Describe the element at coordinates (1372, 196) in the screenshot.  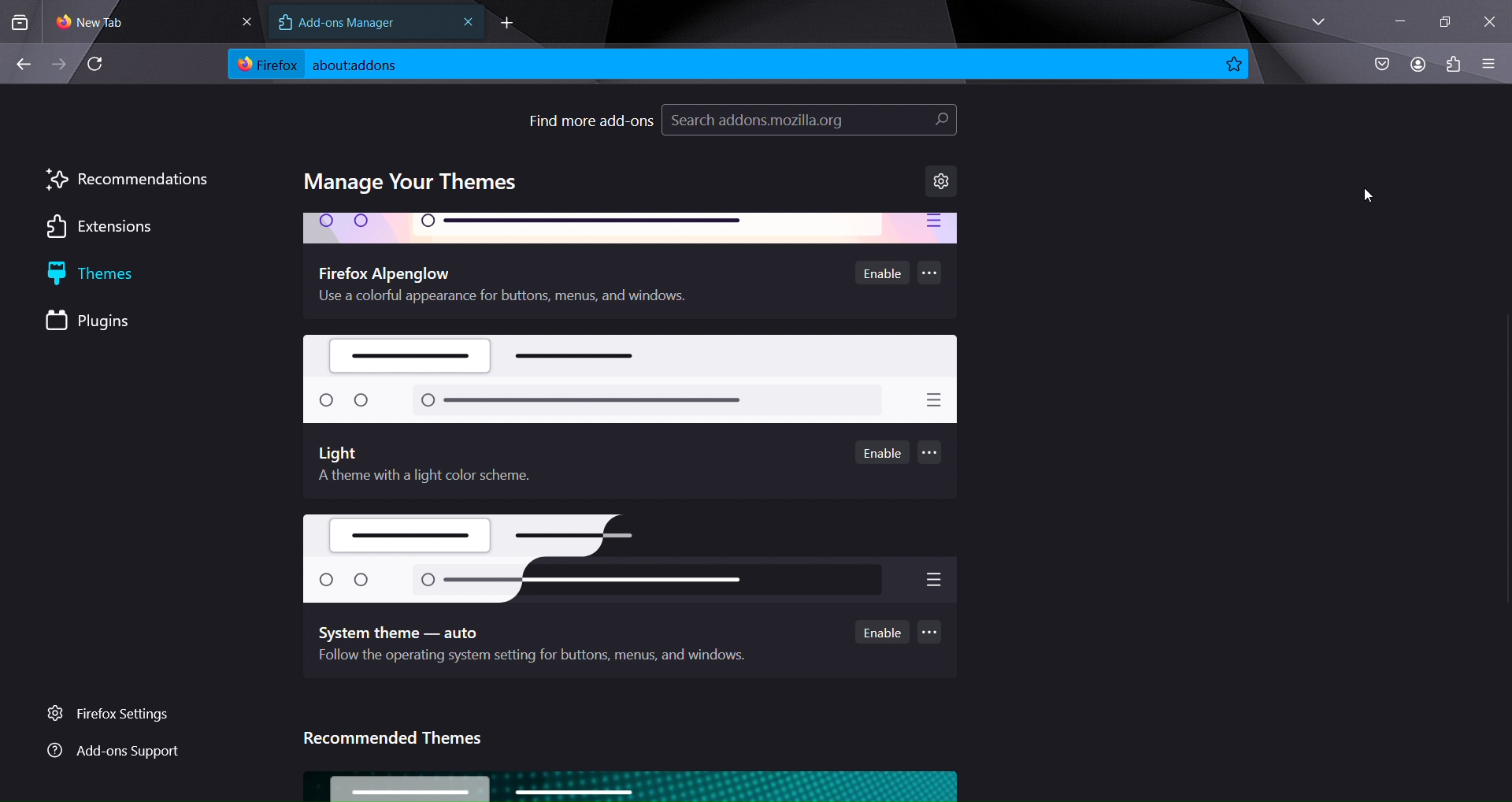
I see `cursor` at that location.